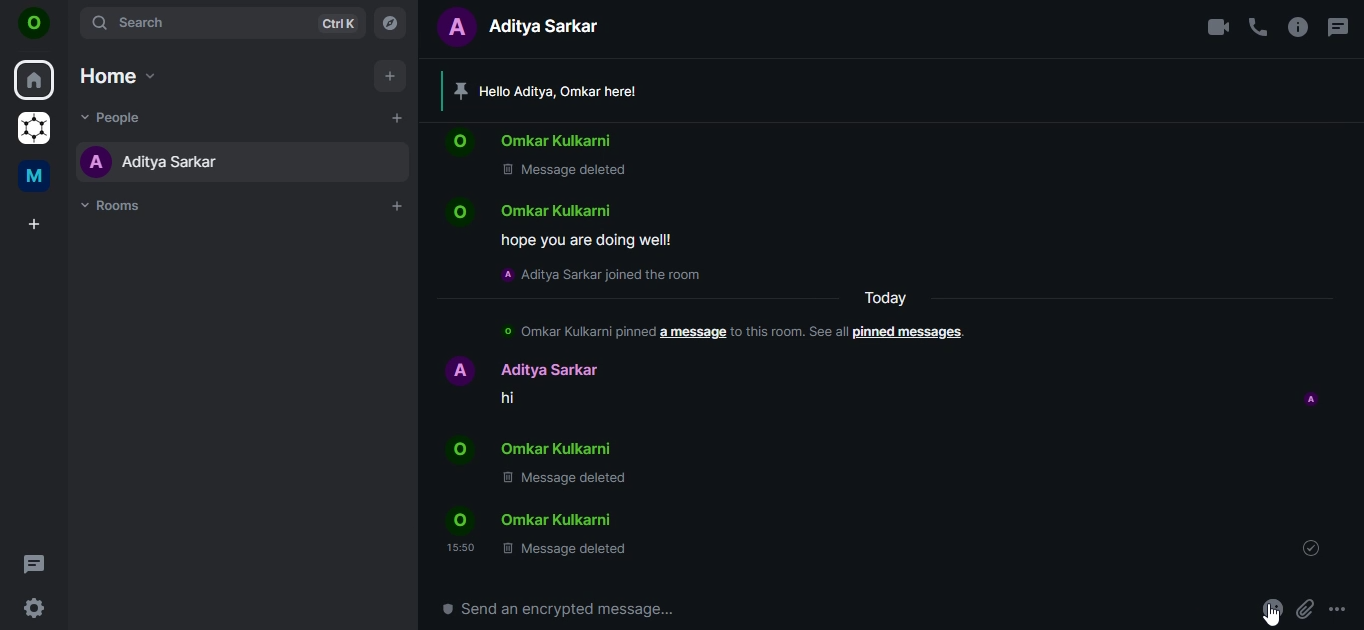 The height and width of the screenshot is (630, 1364). Describe the element at coordinates (34, 224) in the screenshot. I see `create a space` at that location.